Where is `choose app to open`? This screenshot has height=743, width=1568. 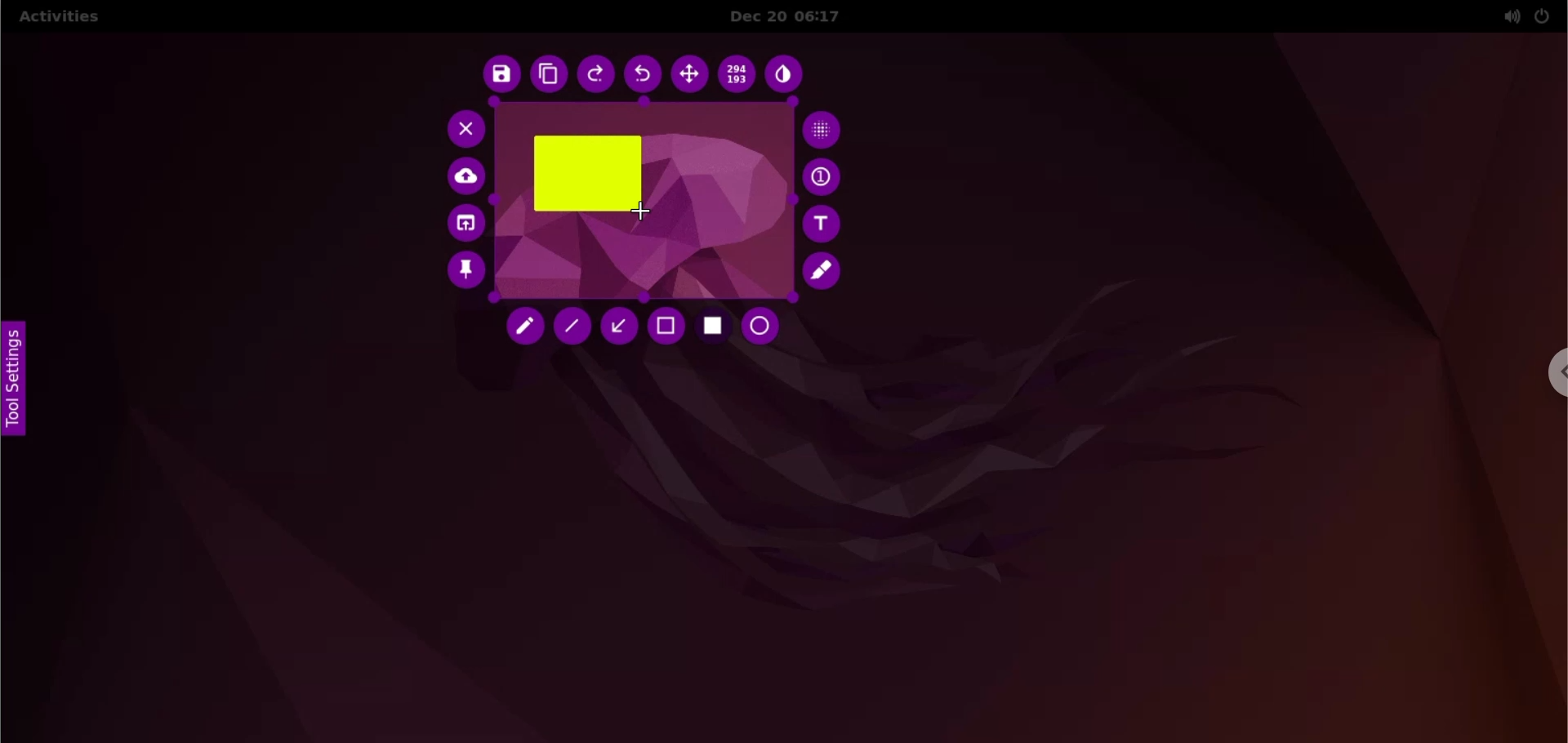 choose app to open is located at coordinates (464, 225).